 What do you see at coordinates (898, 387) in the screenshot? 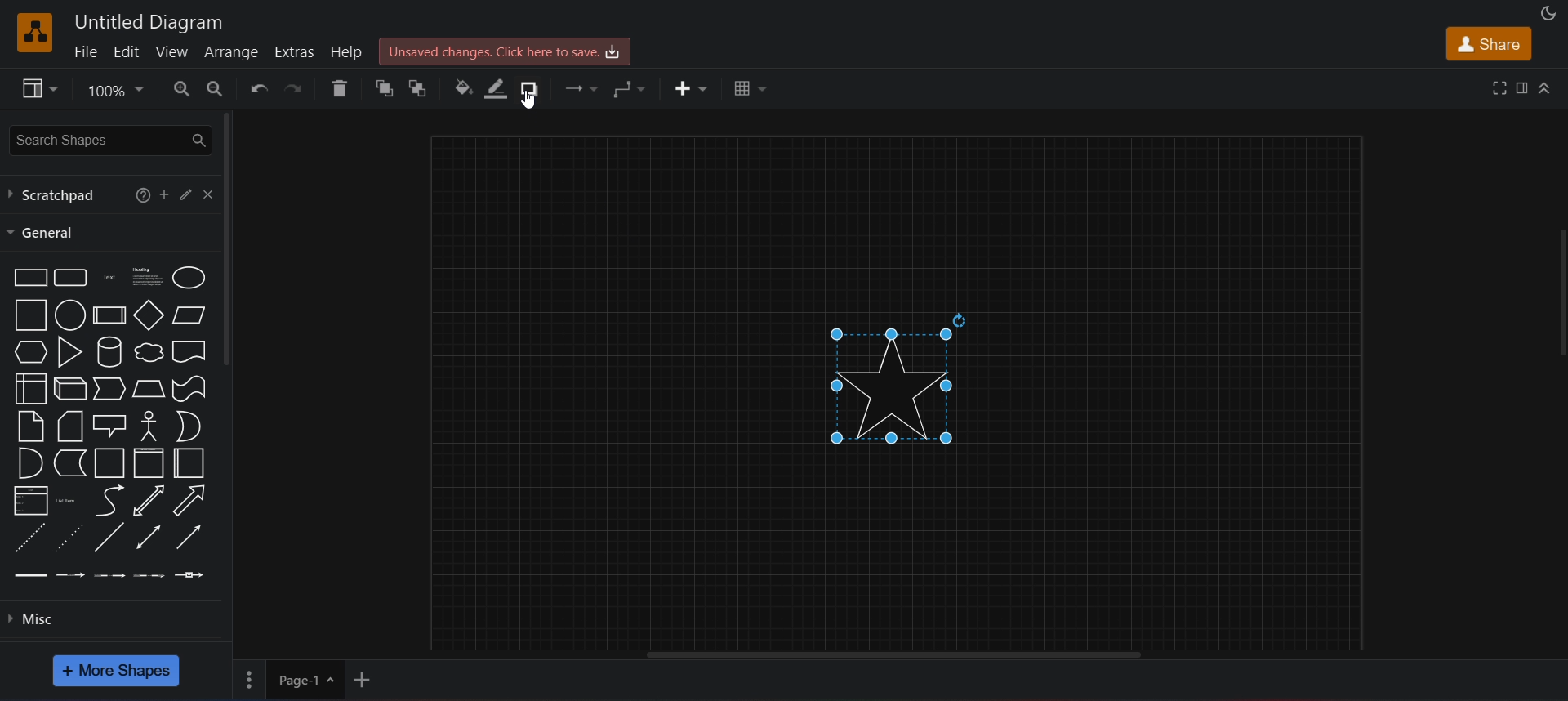
I see `star shape` at bounding box center [898, 387].